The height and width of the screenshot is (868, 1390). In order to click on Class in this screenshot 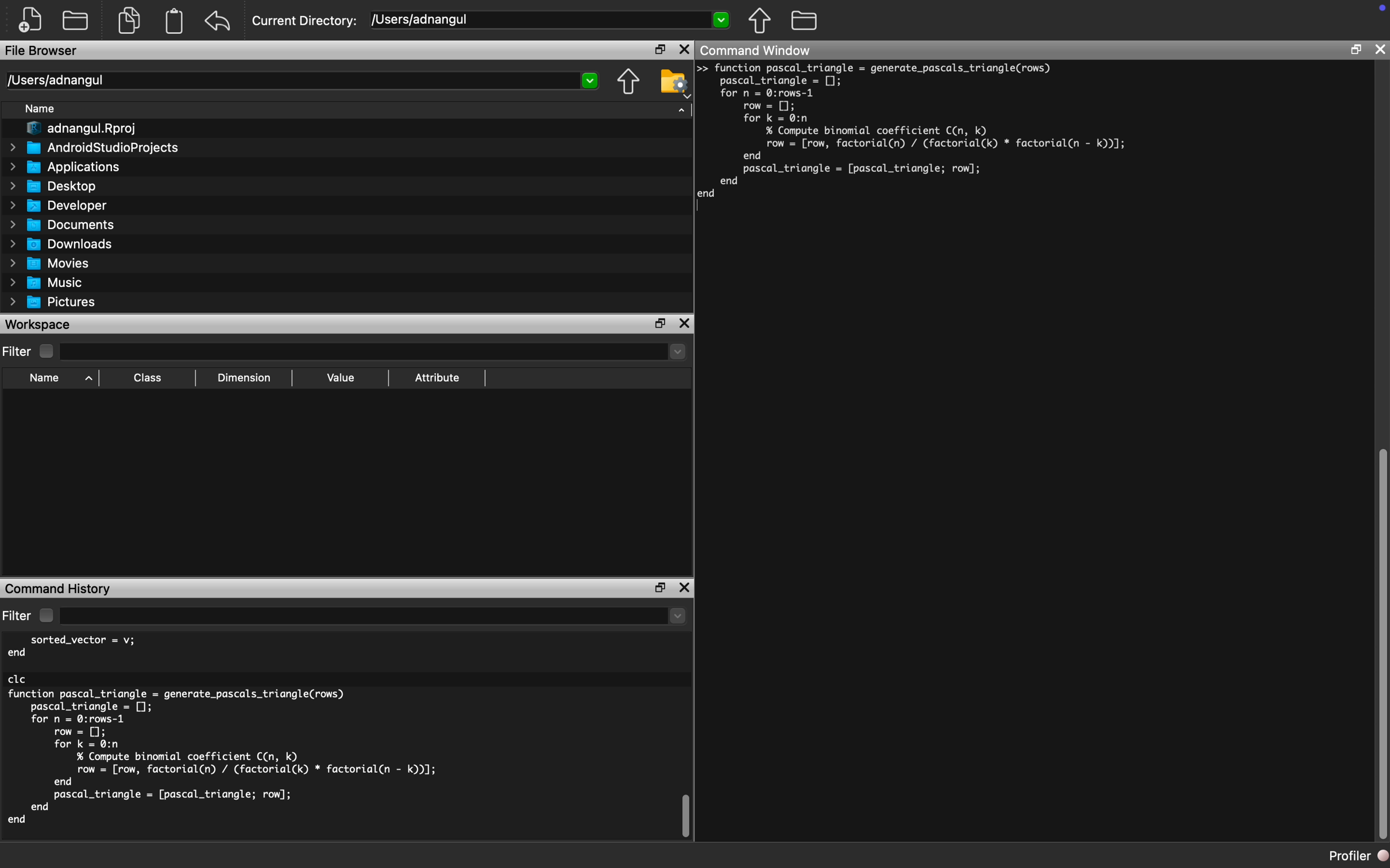, I will do `click(148, 377)`.